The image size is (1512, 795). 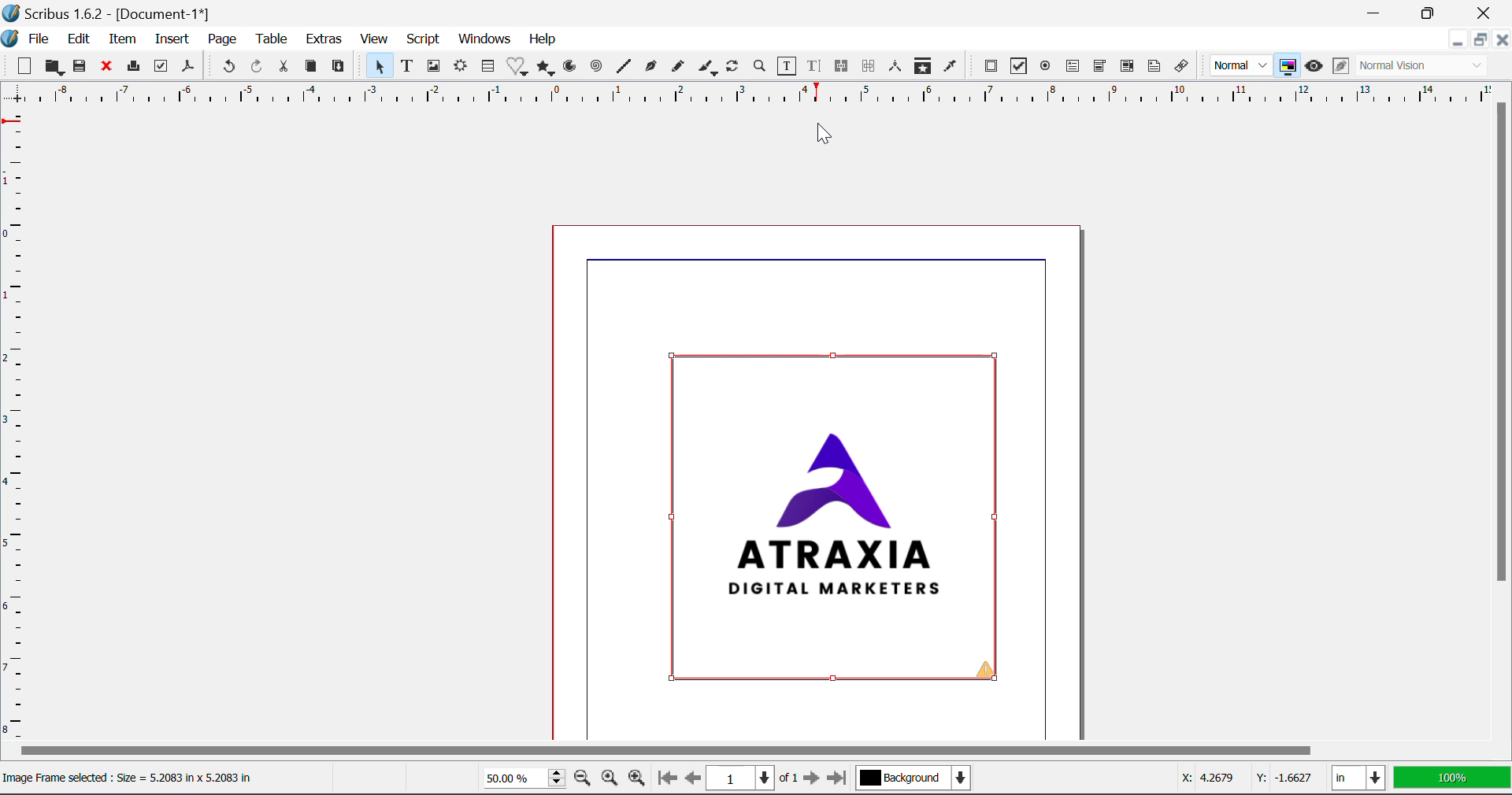 I want to click on Search, so click(x=760, y=67).